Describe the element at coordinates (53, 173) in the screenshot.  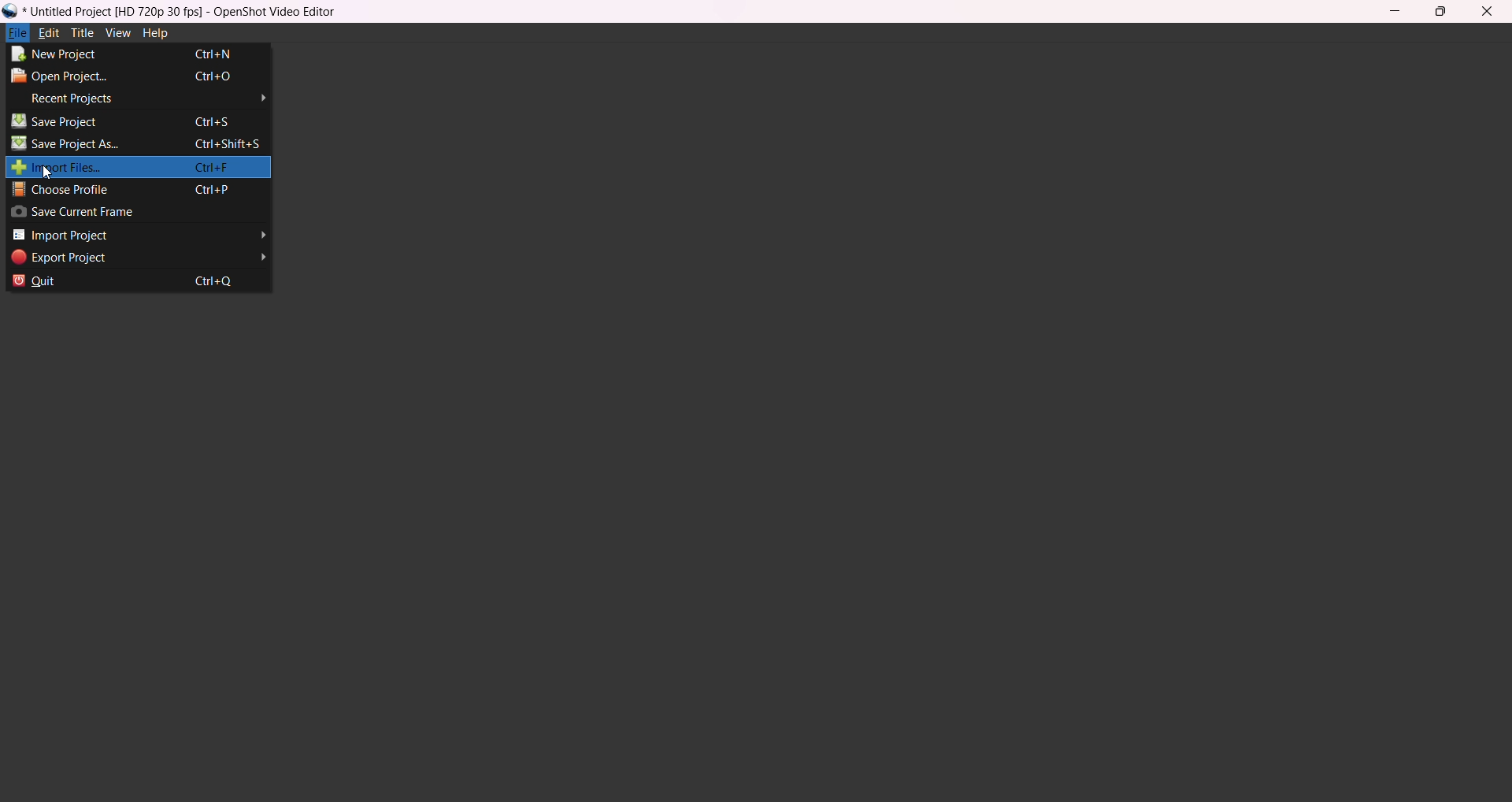
I see `cursor` at that location.